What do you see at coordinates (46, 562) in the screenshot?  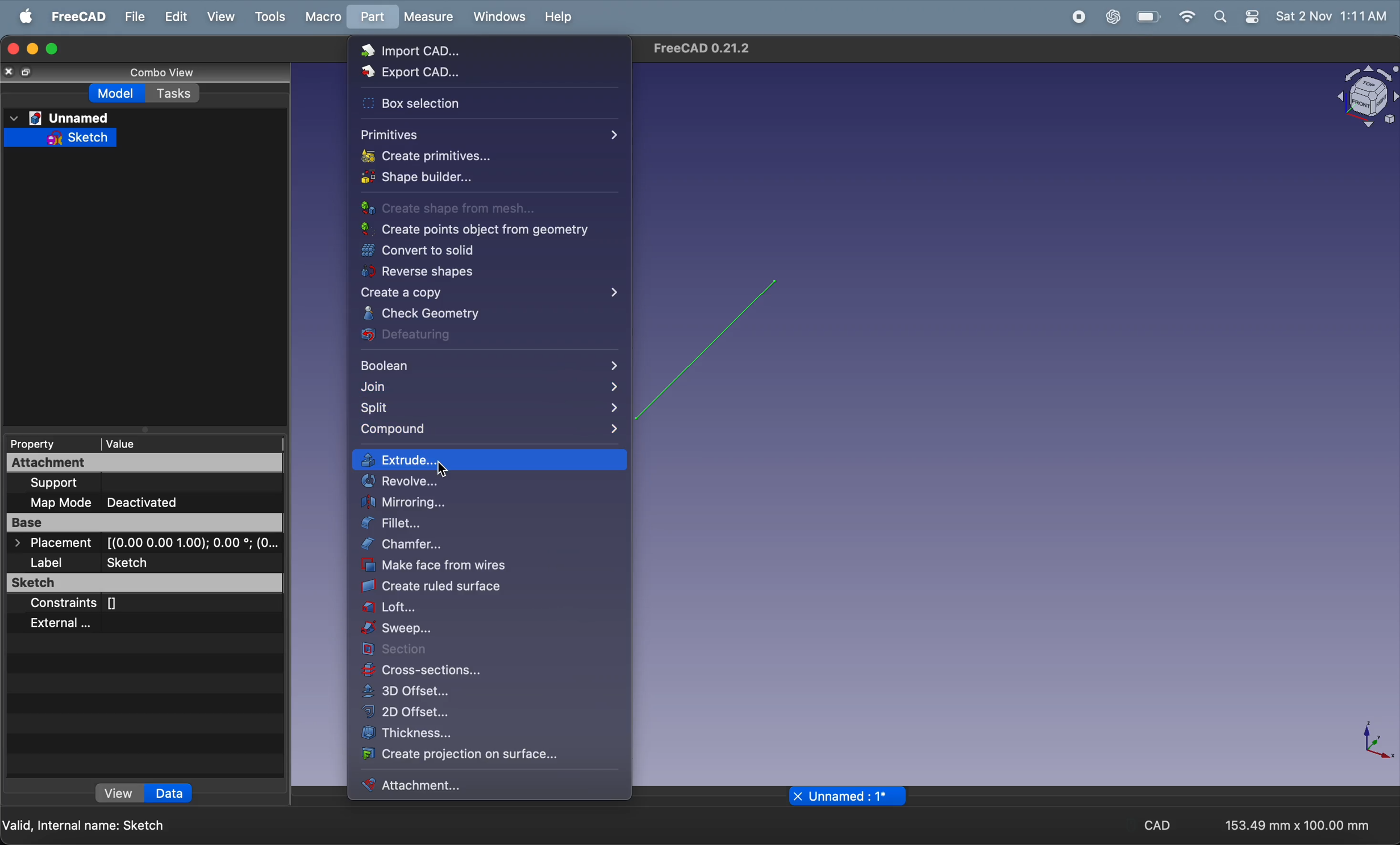 I see `label` at bounding box center [46, 562].